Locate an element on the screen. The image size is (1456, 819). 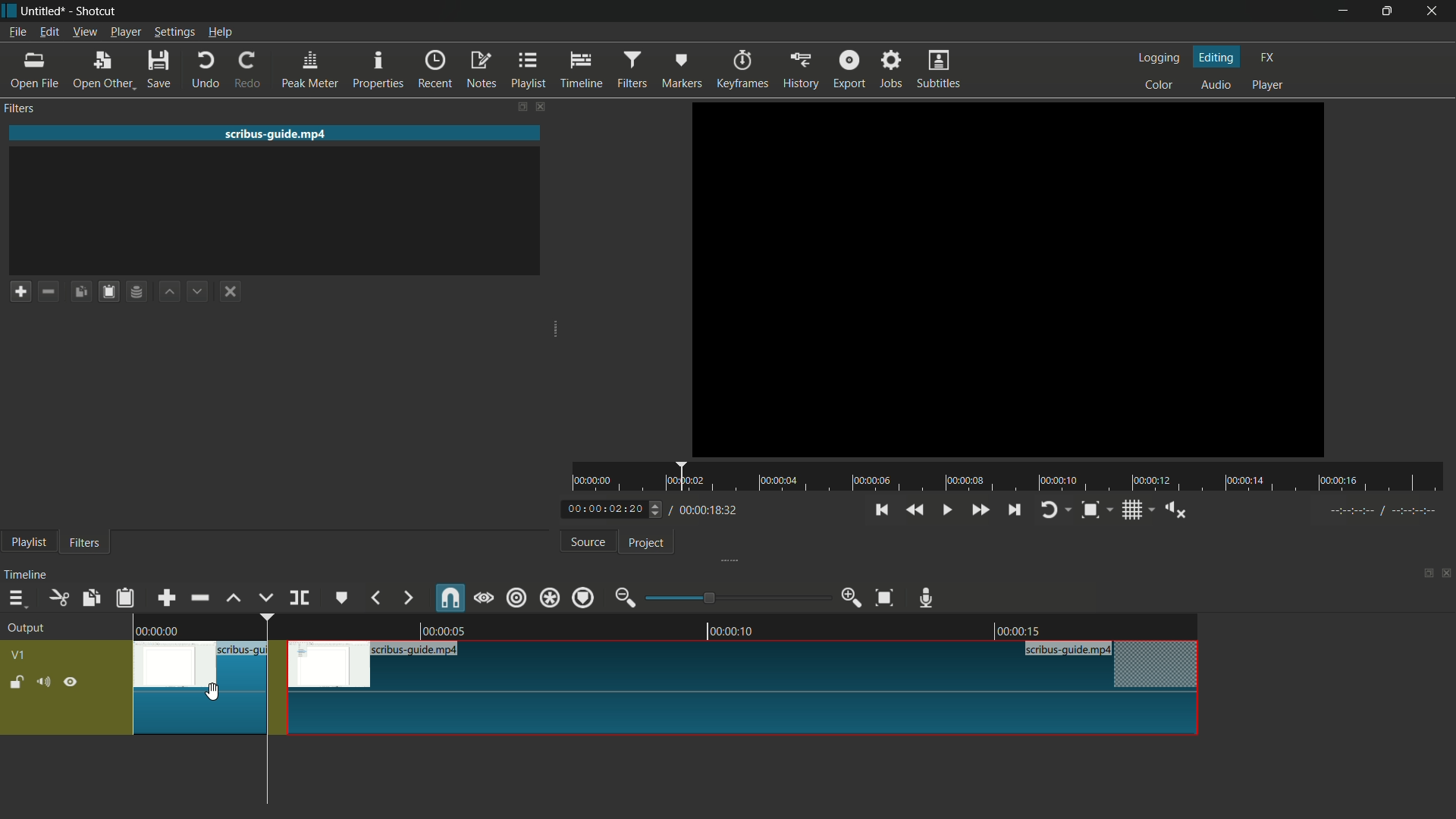
skip to the next point is located at coordinates (1015, 510).